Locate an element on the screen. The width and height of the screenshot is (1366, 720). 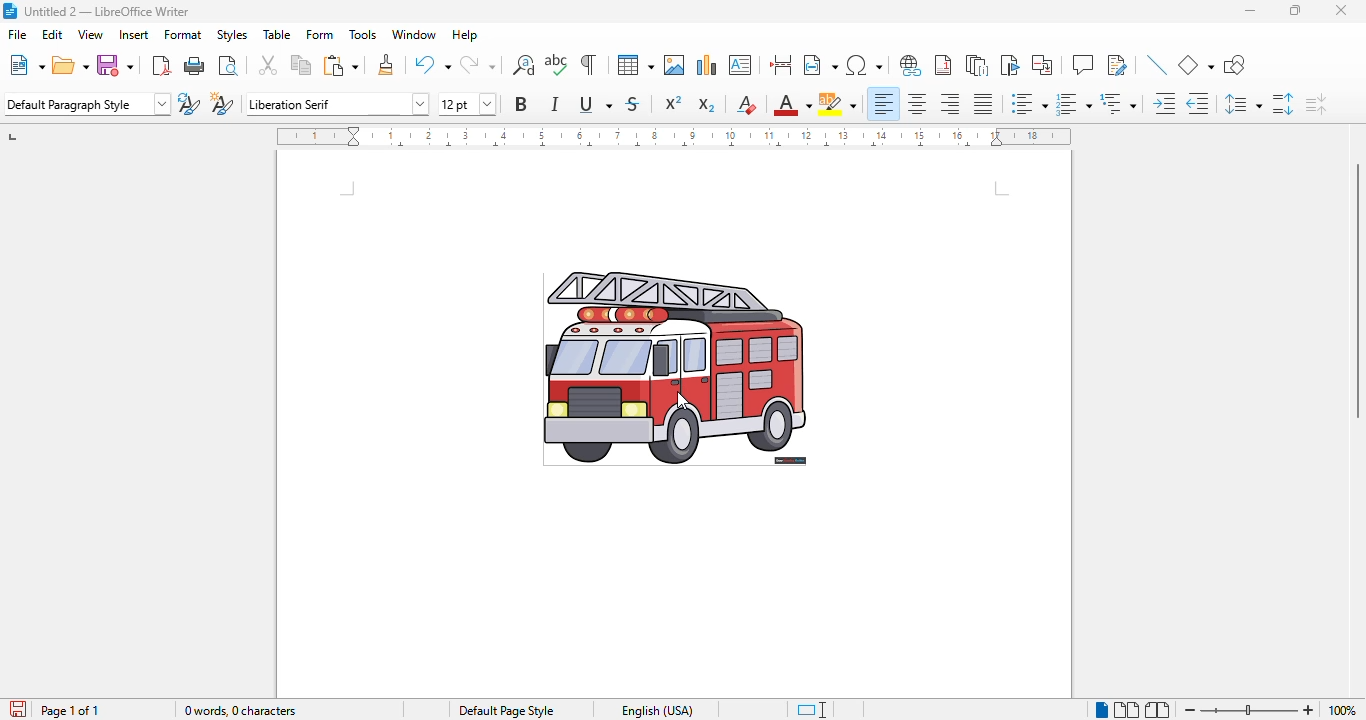
align left is located at coordinates (882, 103).